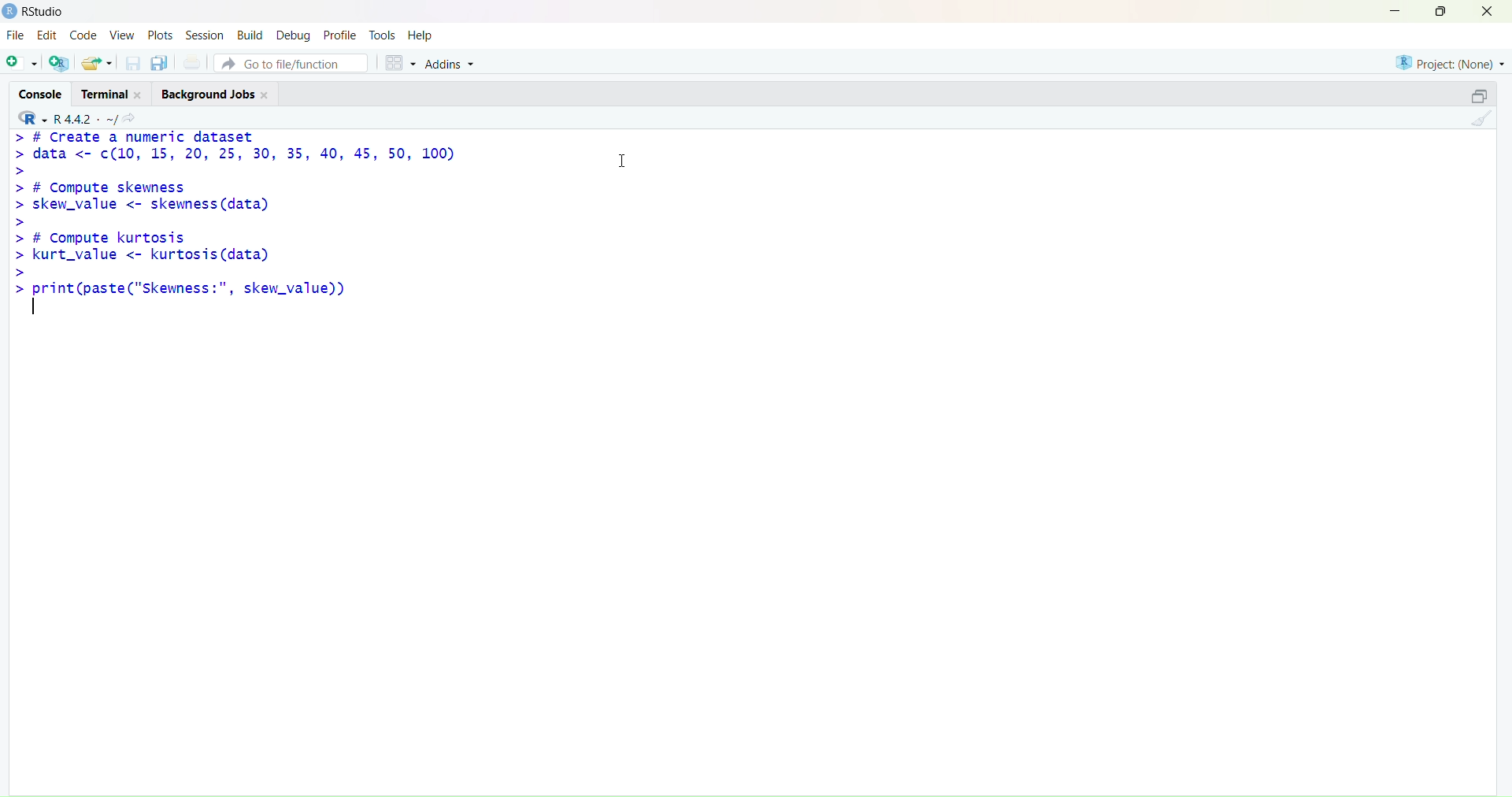 This screenshot has width=1512, height=797. Describe the element at coordinates (383, 32) in the screenshot. I see `Tools` at that location.